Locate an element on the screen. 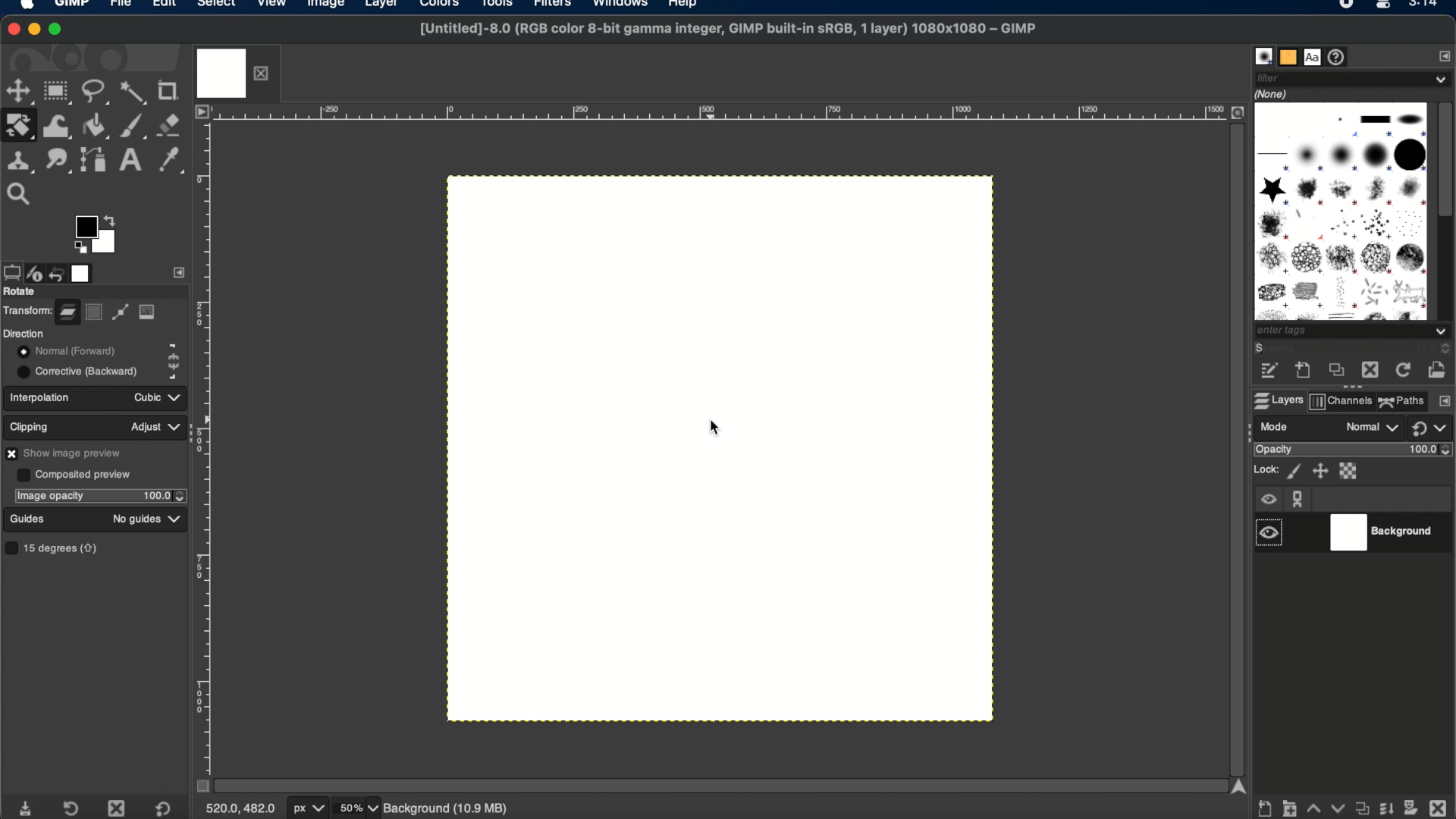 Image resolution: width=1456 pixels, height=819 pixels. view is located at coordinates (272, 6).